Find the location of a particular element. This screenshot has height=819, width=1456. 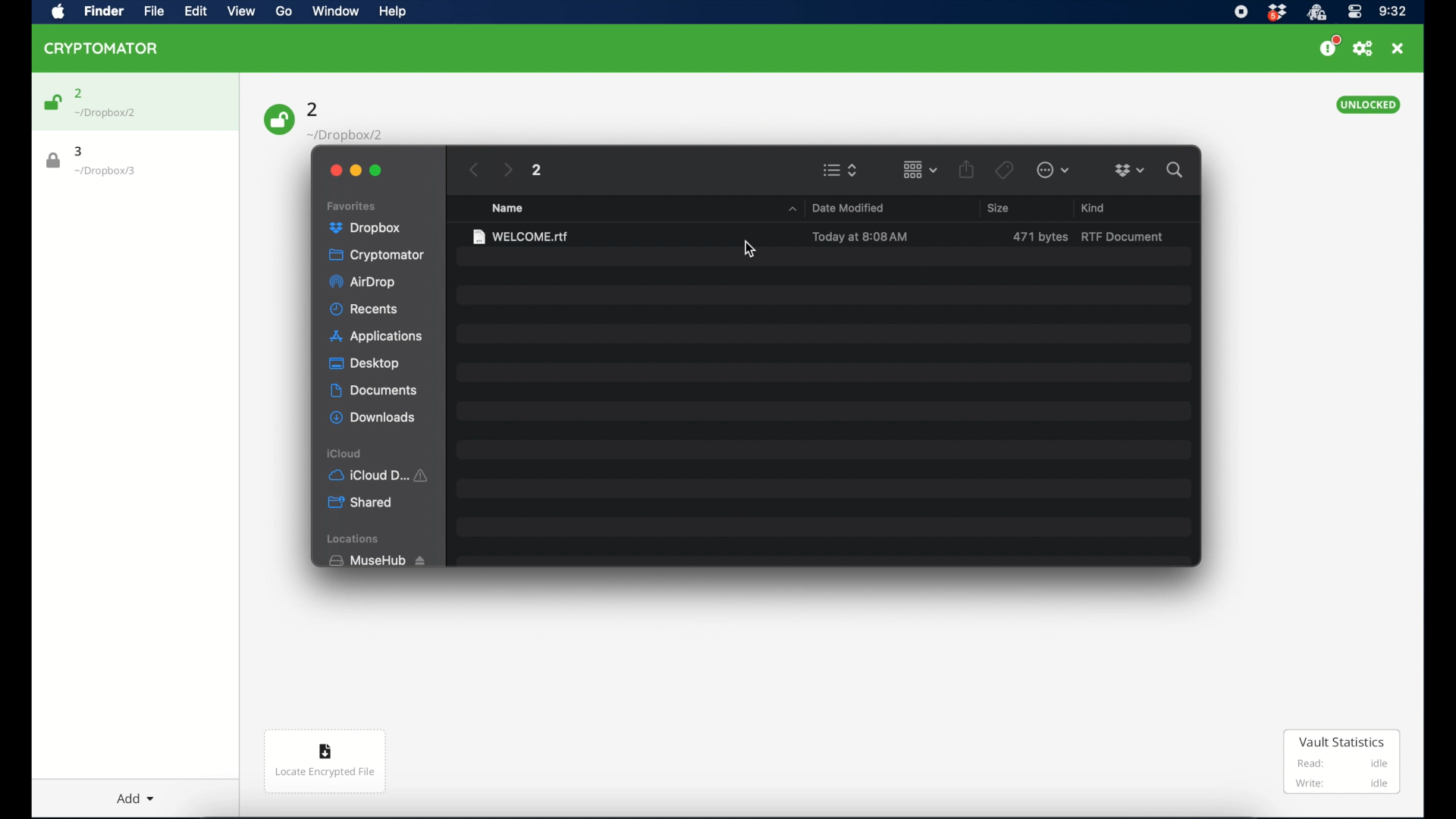

cryptomator icon is located at coordinates (102, 49).